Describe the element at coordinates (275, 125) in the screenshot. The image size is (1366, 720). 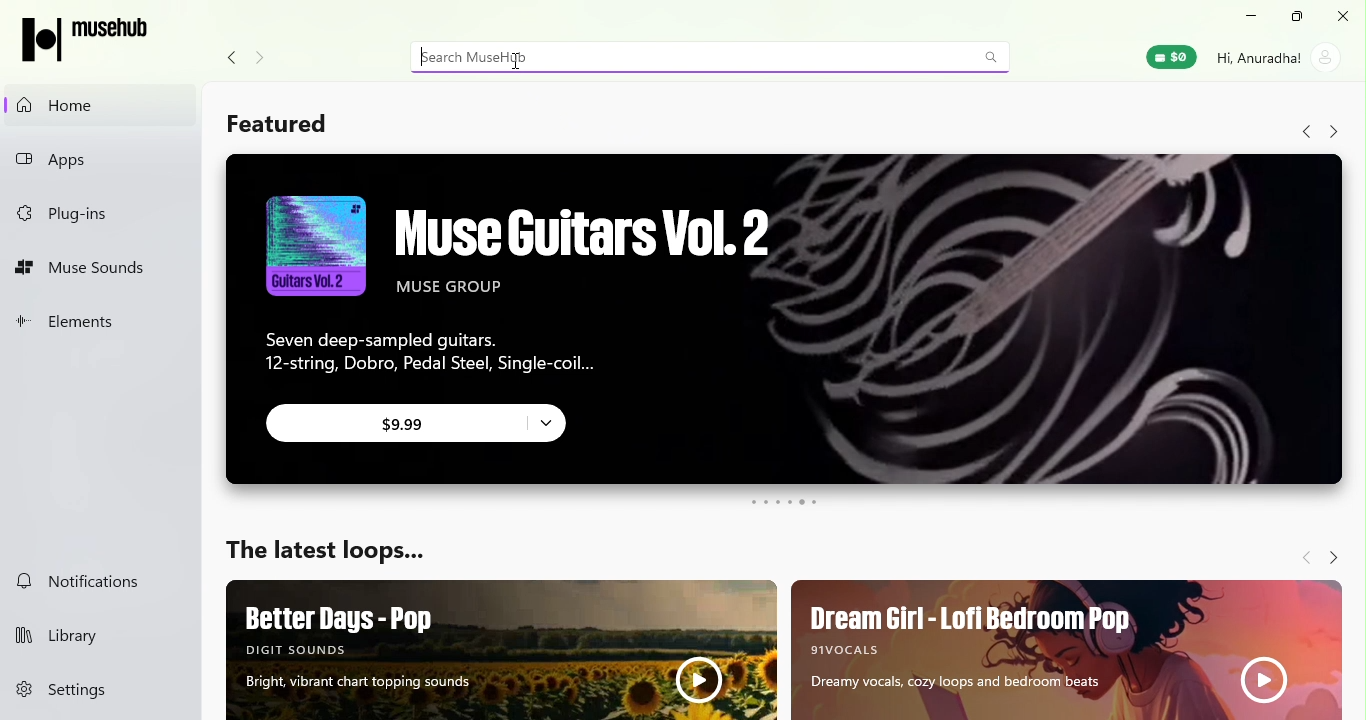
I see `Featured` at that location.